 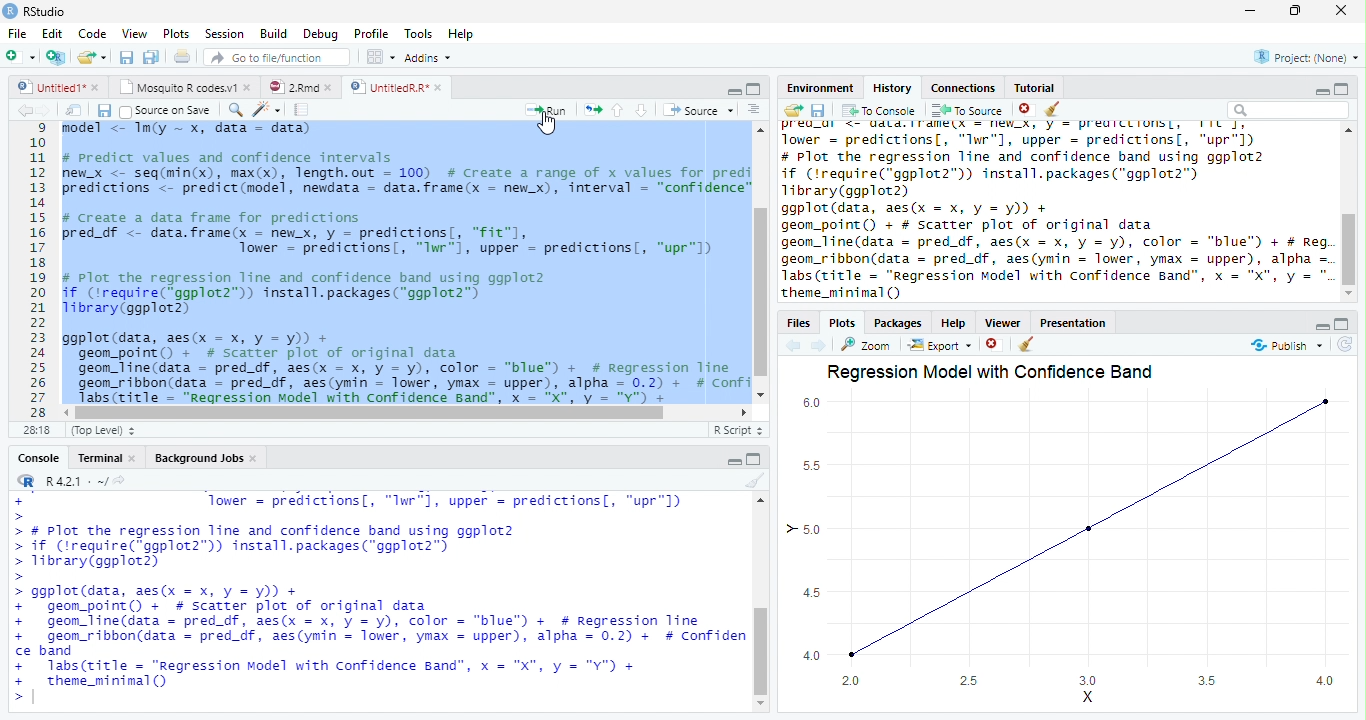 I want to click on Open an existing file, so click(x=95, y=59).